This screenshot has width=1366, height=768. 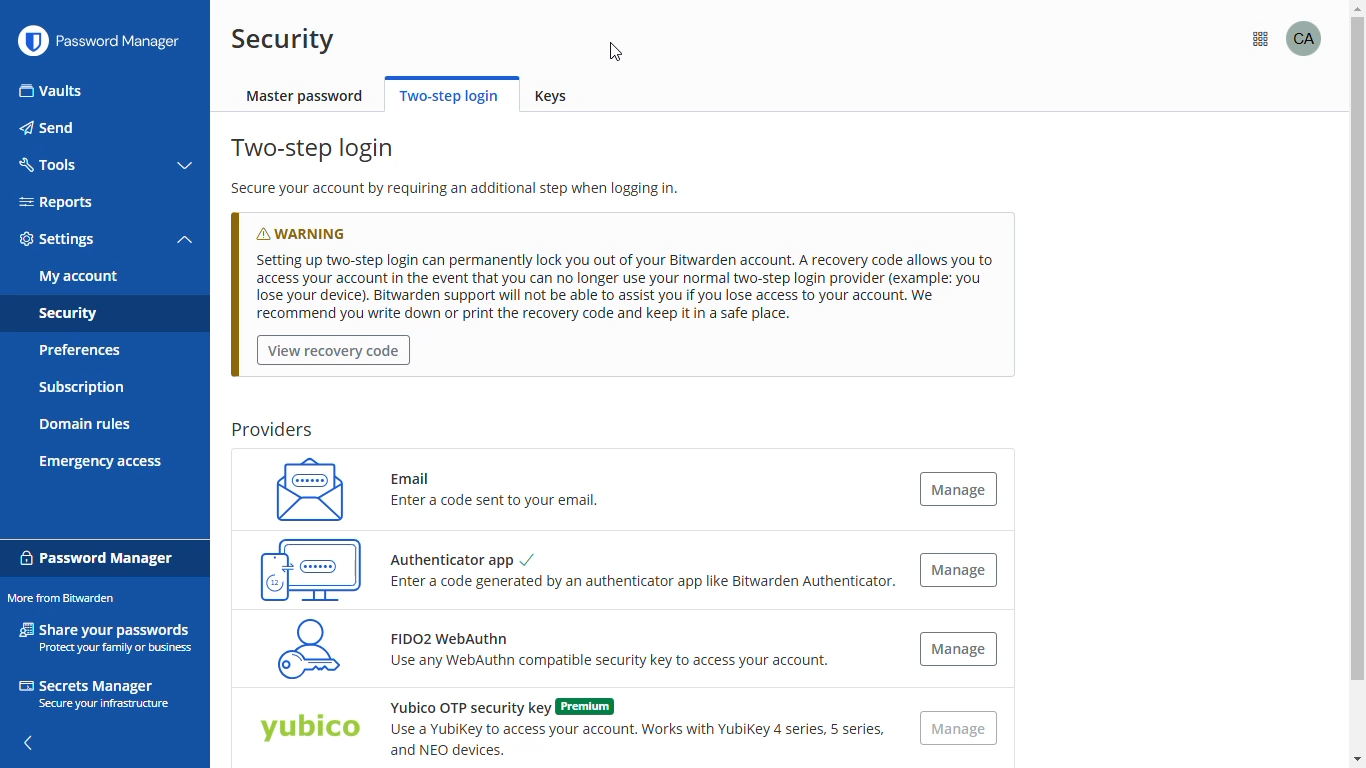 I want to click on reports, so click(x=56, y=202).